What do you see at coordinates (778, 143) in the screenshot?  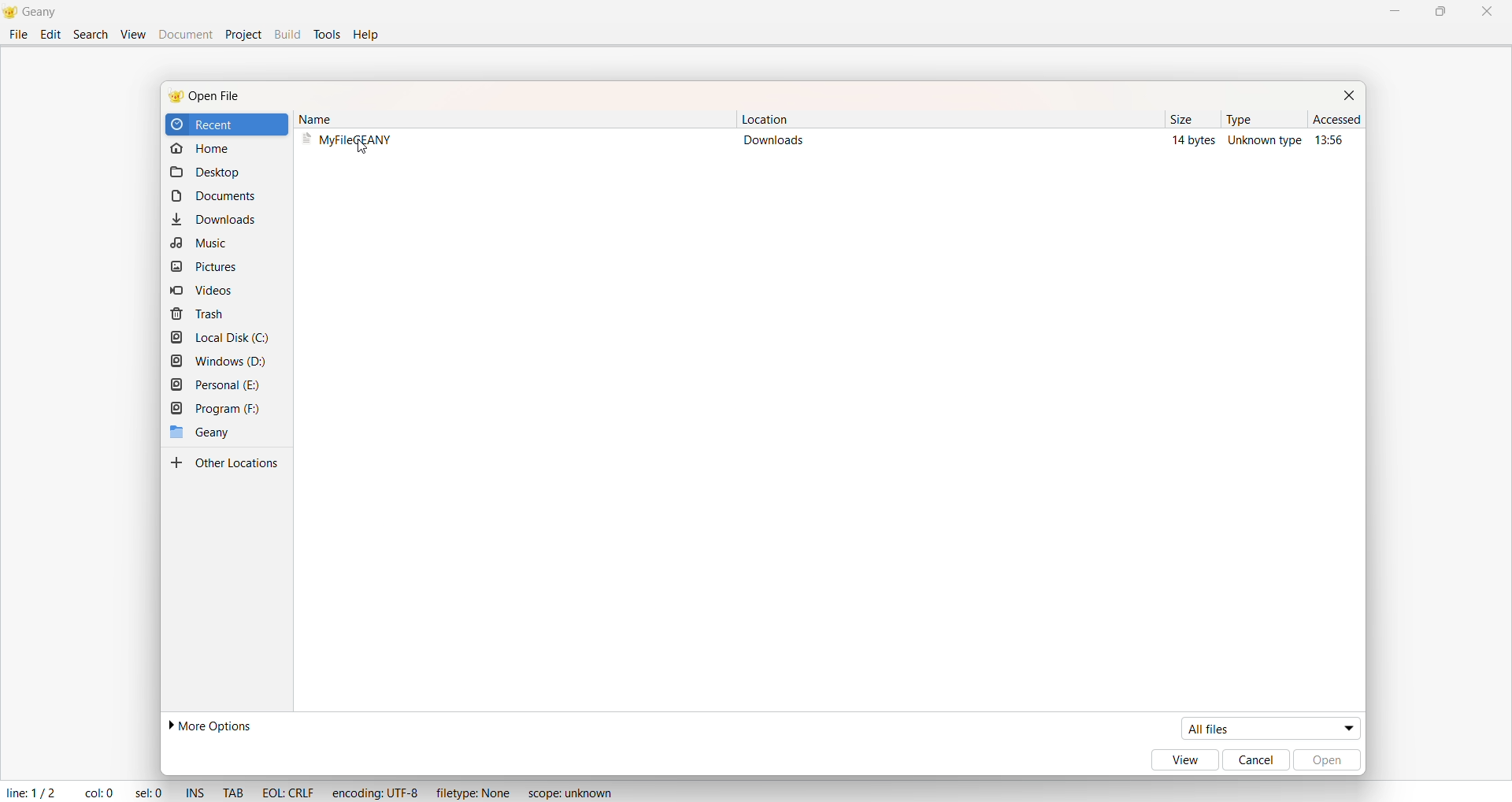 I see `downloads` at bounding box center [778, 143].